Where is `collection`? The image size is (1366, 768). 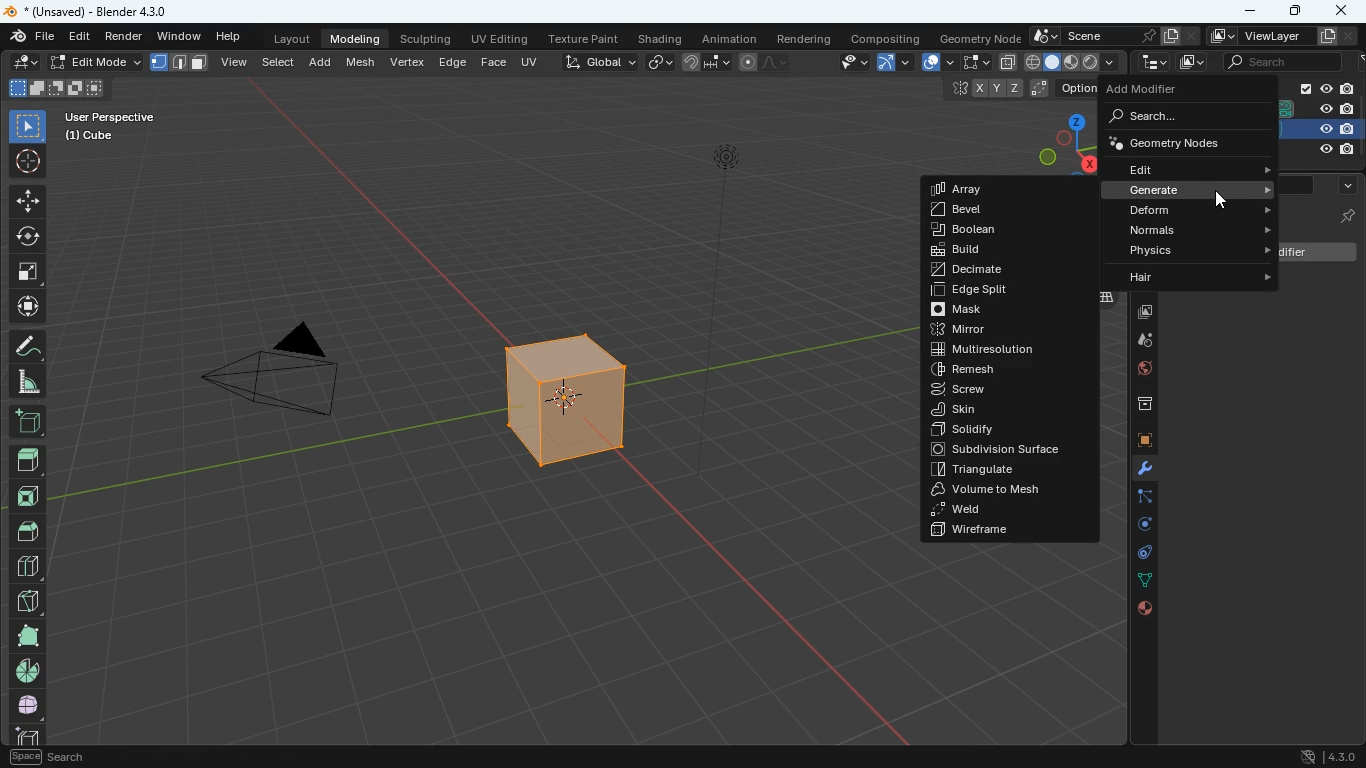
collection is located at coordinates (1322, 89).